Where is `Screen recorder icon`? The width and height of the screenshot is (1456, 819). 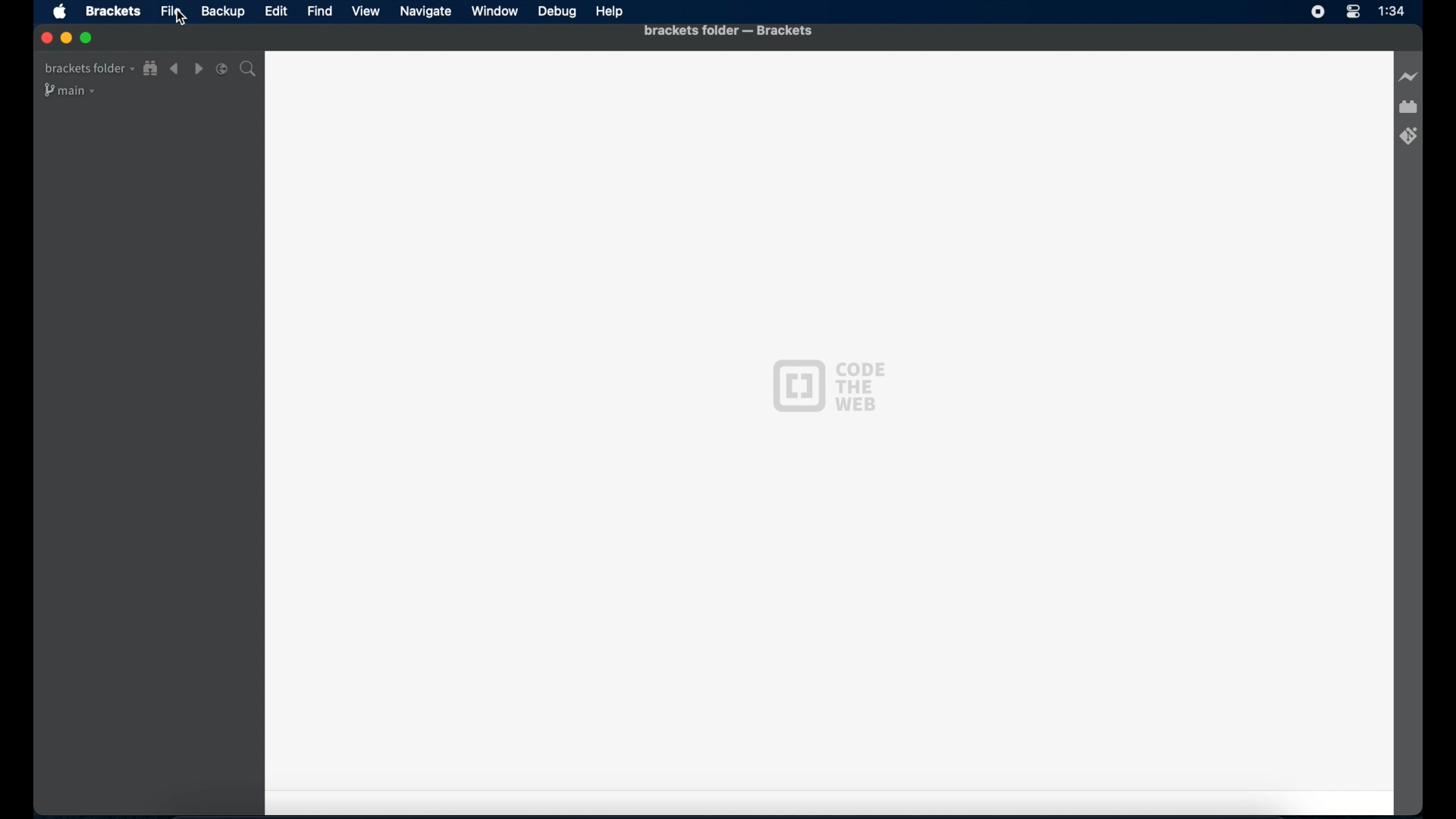 Screen recorder icon is located at coordinates (1319, 11).